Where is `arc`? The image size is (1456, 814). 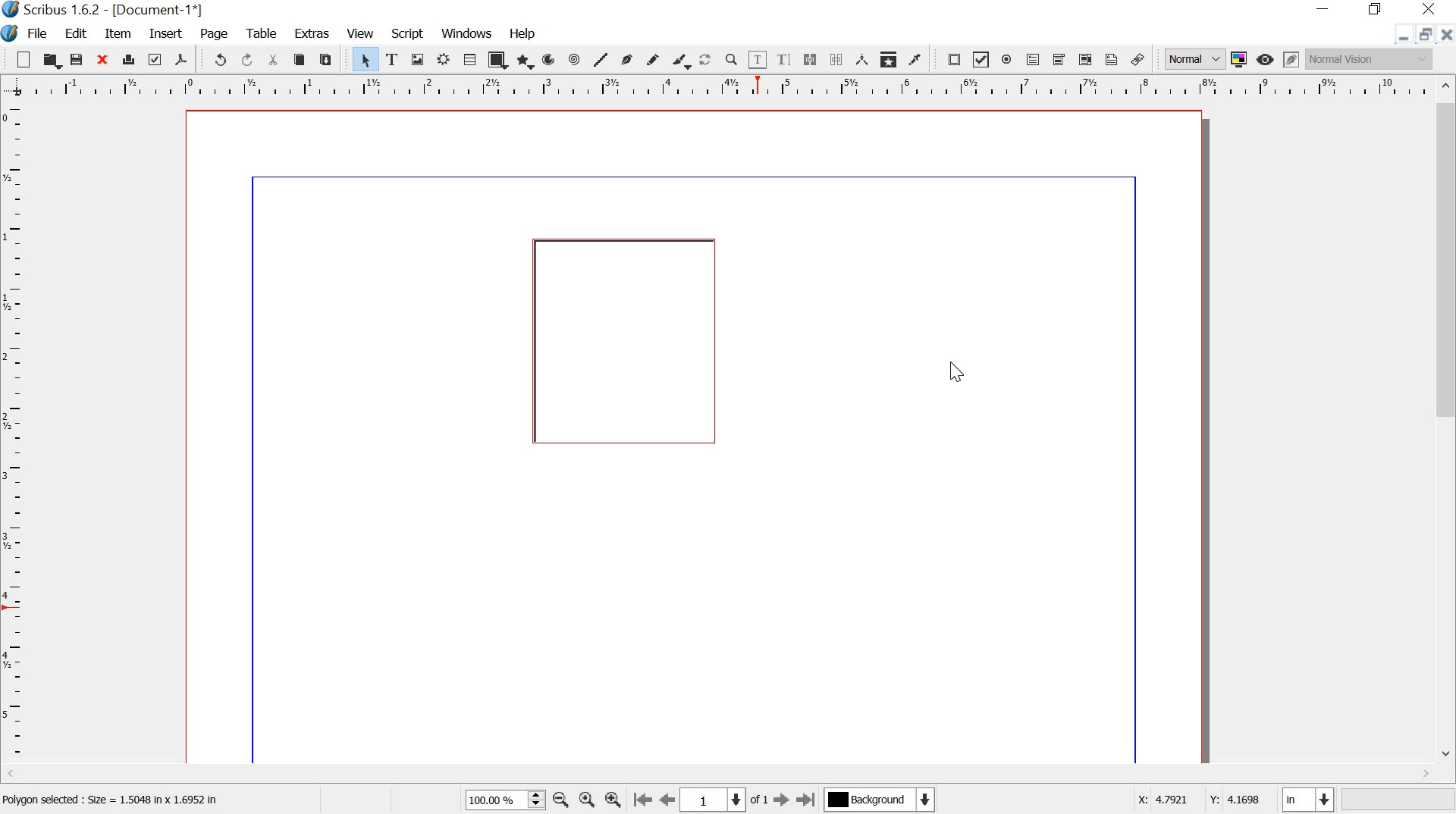
arc is located at coordinates (551, 59).